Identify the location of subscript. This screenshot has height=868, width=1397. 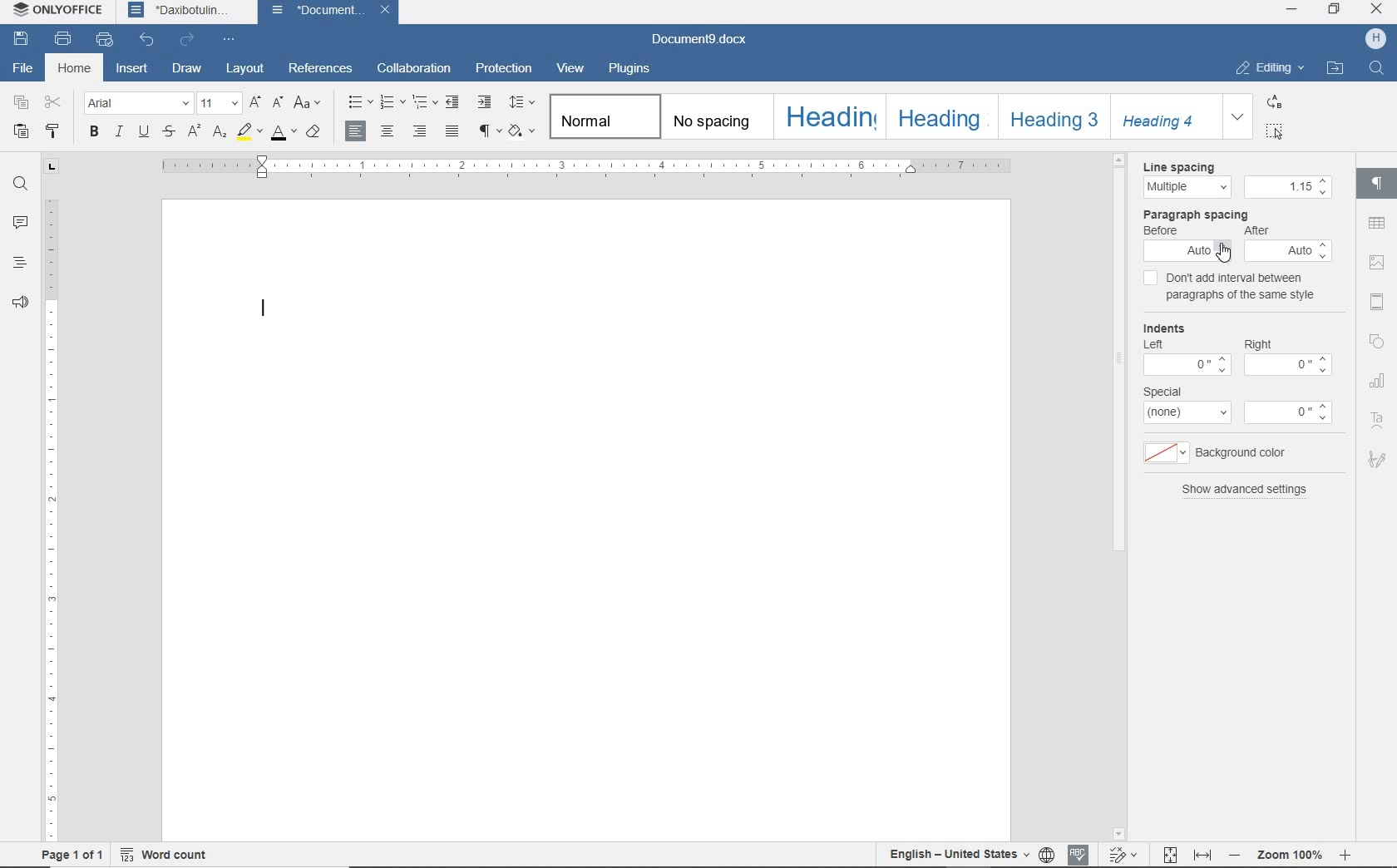
(220, 134).